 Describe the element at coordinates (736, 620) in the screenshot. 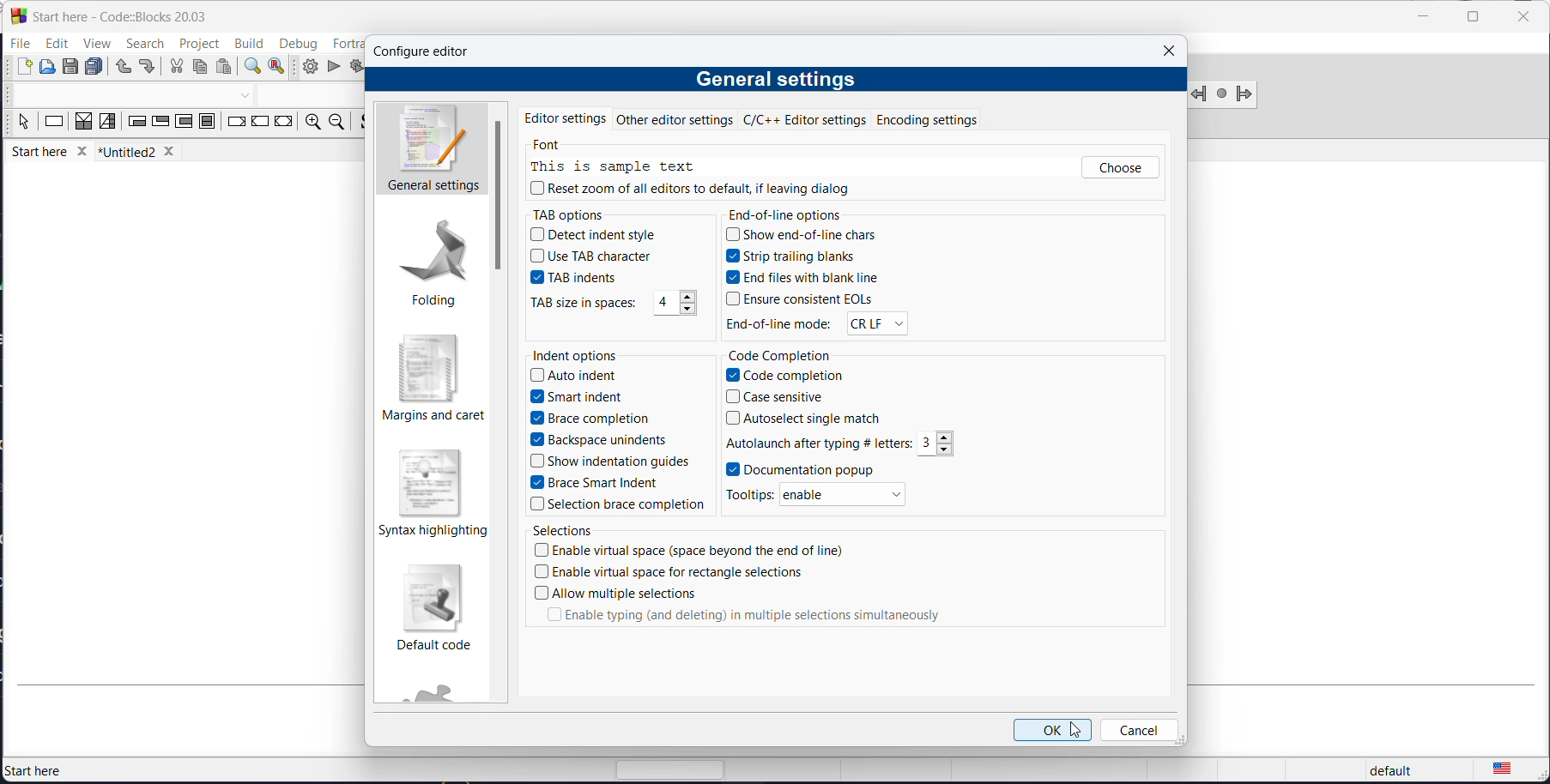

I see `enable typing checkbox` at that location.